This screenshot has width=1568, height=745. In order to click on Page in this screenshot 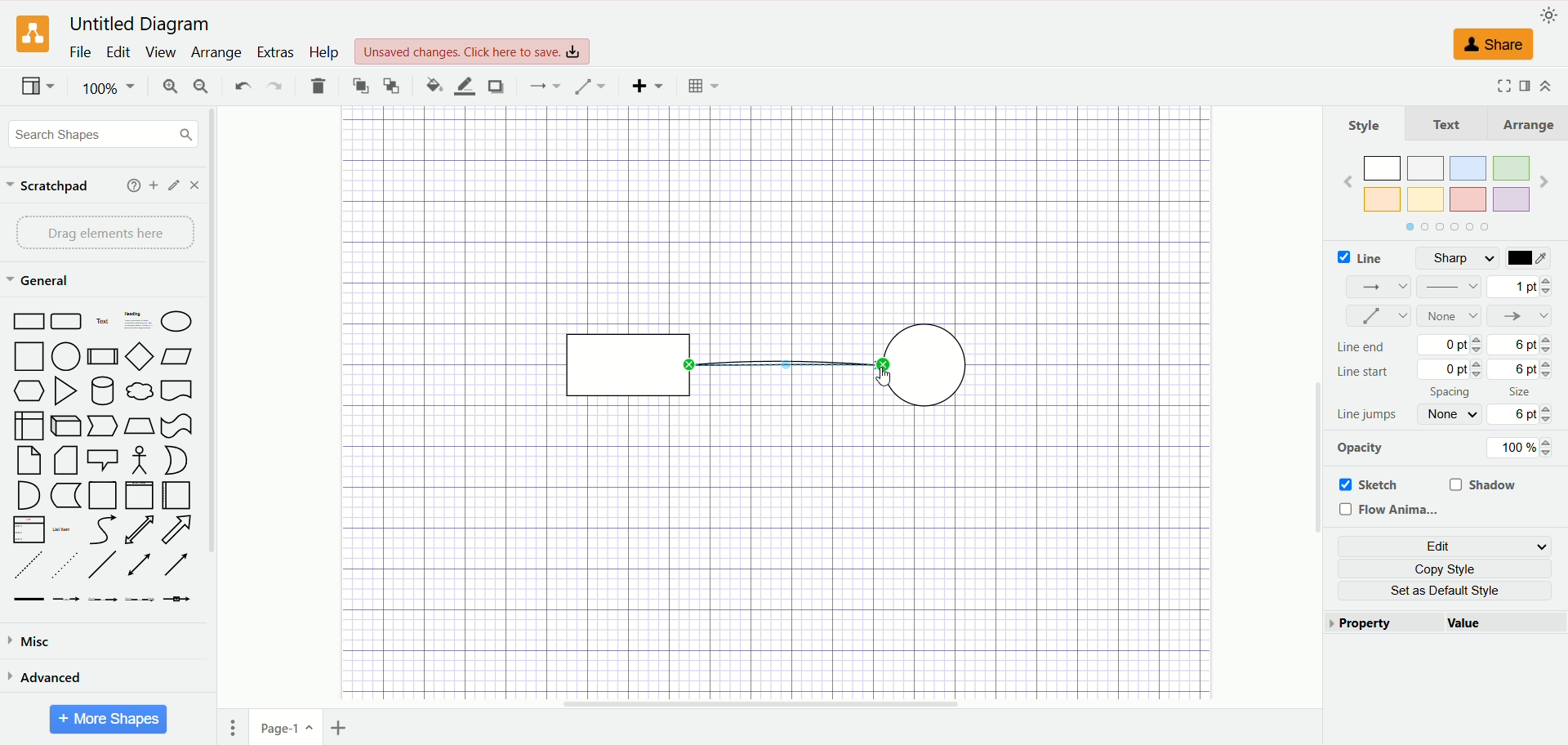, I will do `click(101, 495)`.